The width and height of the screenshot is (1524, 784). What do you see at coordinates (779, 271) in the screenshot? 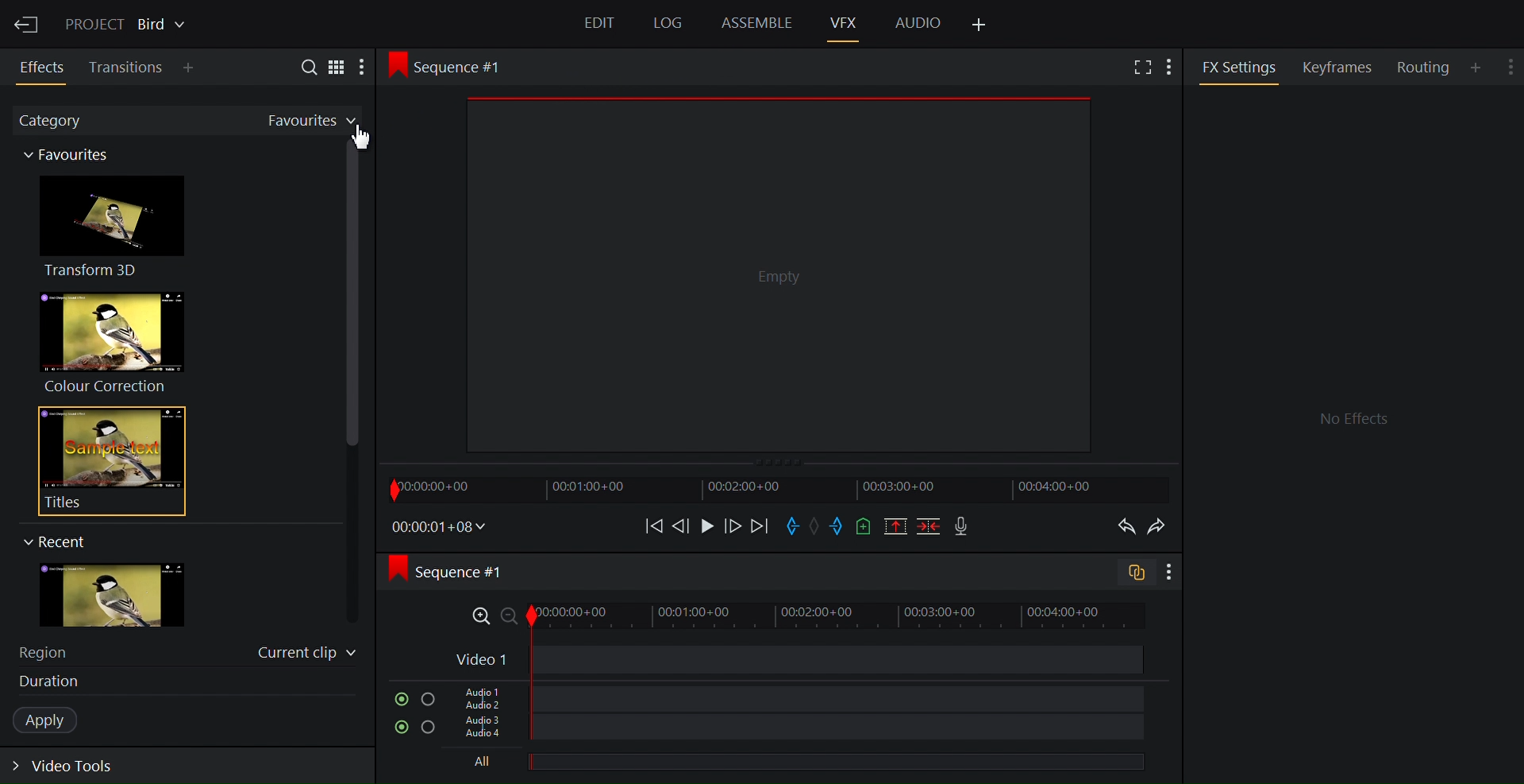
I see `Media Viewer` at bounding box center [779, 271].